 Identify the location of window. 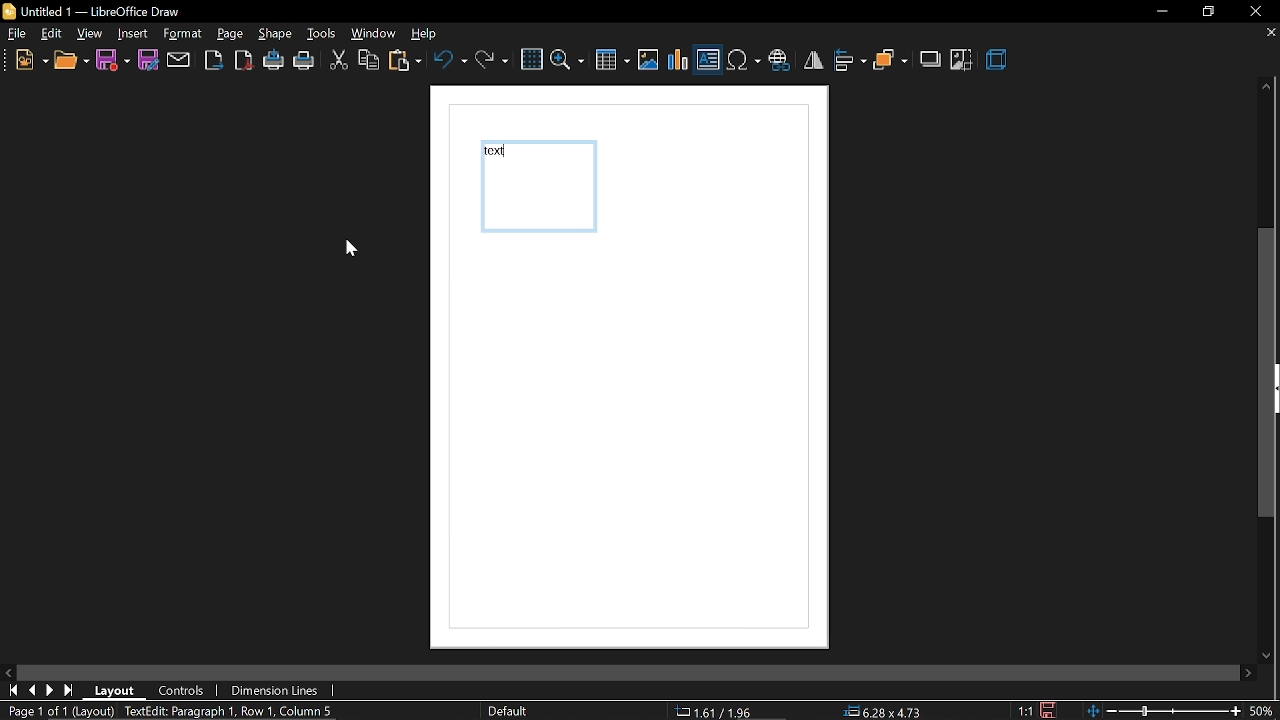
(374, 34).